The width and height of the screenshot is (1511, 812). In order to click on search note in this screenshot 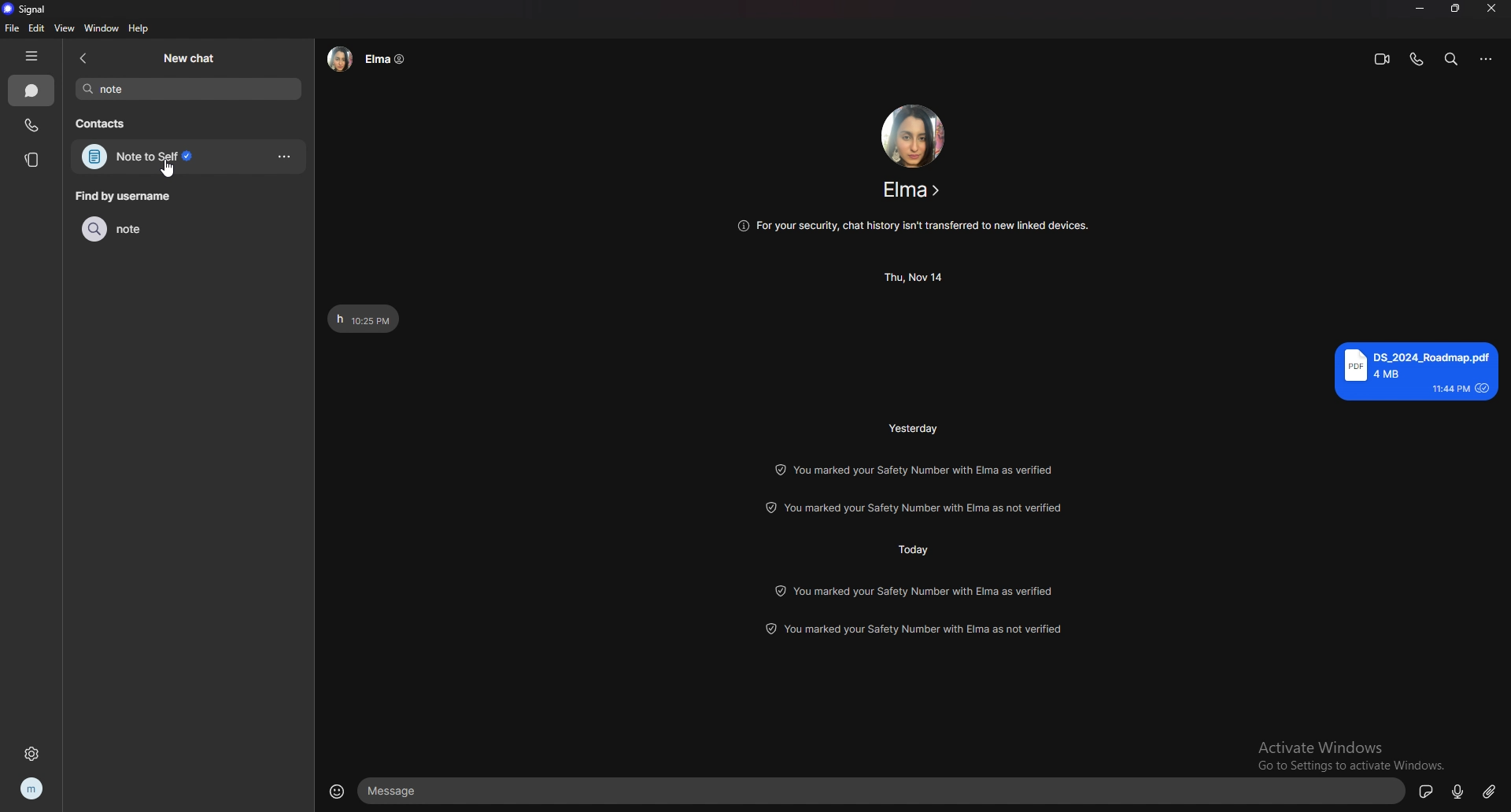, I will do `click(159, 228)`.